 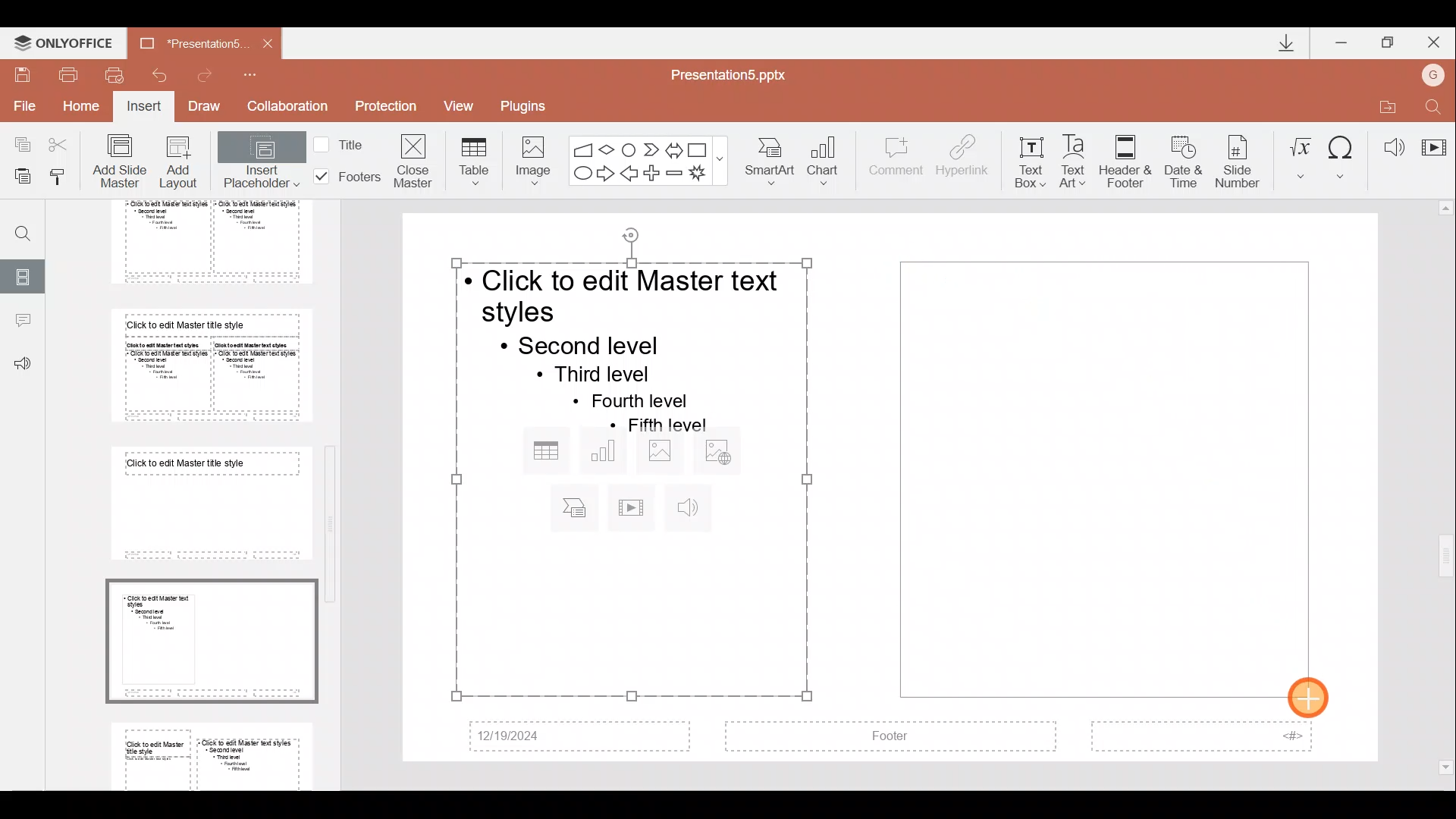 What do you see at coordinates (654, 171) in the screenshot?
I see `Plus` at bounding box center [654, 171].